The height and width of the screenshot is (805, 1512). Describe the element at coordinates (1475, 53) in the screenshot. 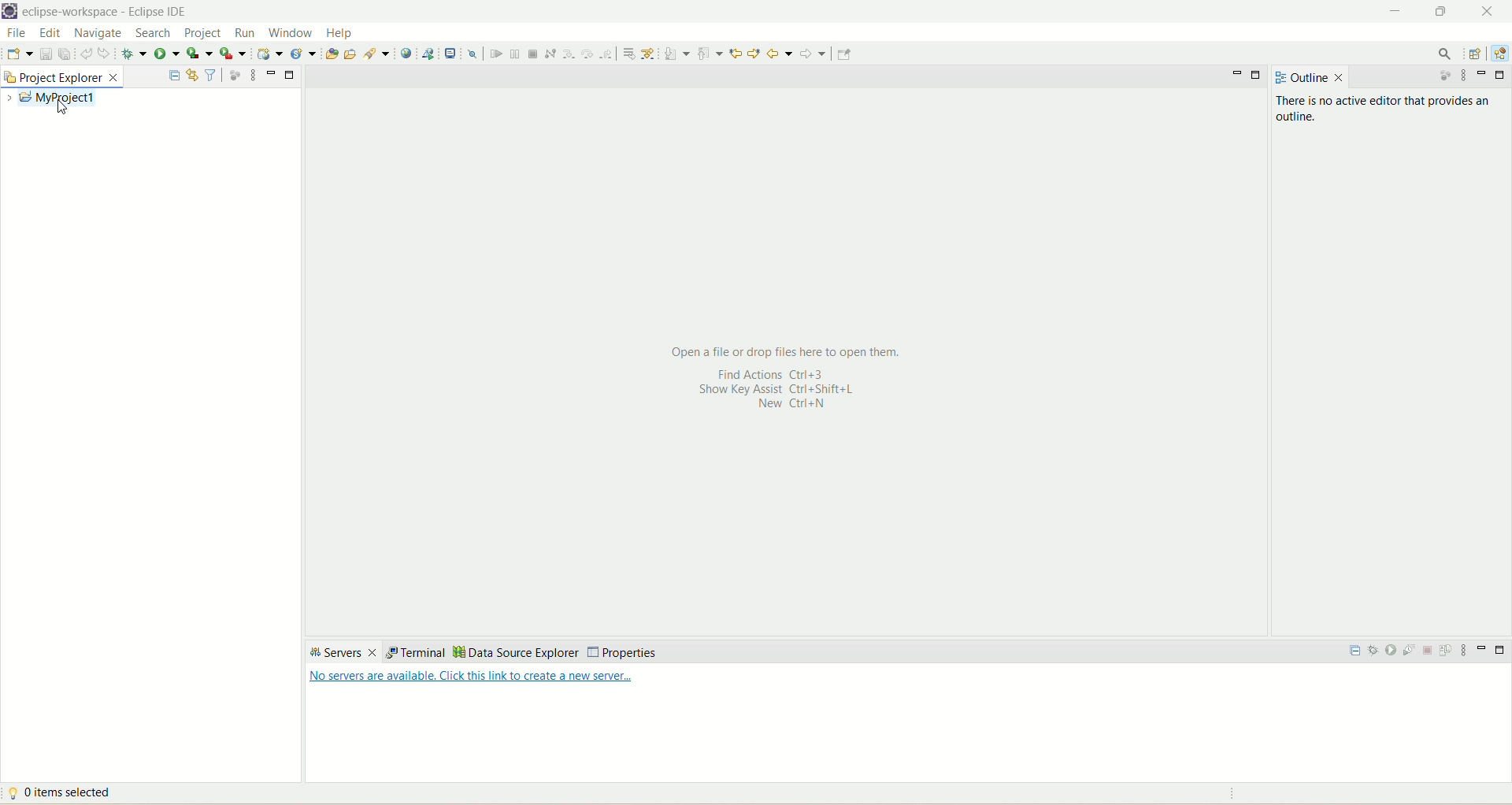

I see `open perspective` at that location.